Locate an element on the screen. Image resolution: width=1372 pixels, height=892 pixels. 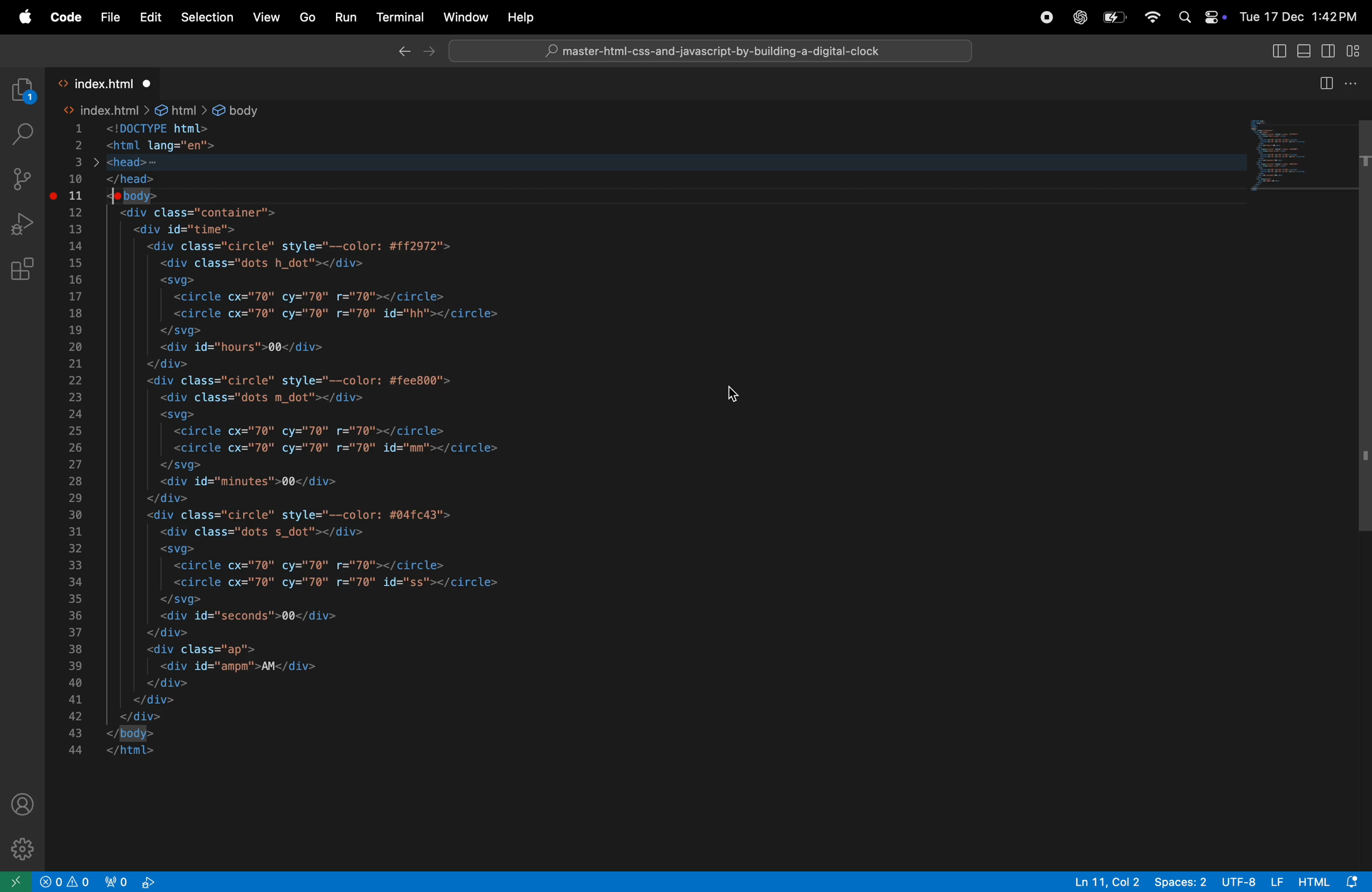
chatgpt is located at coordinates (1078, 17).